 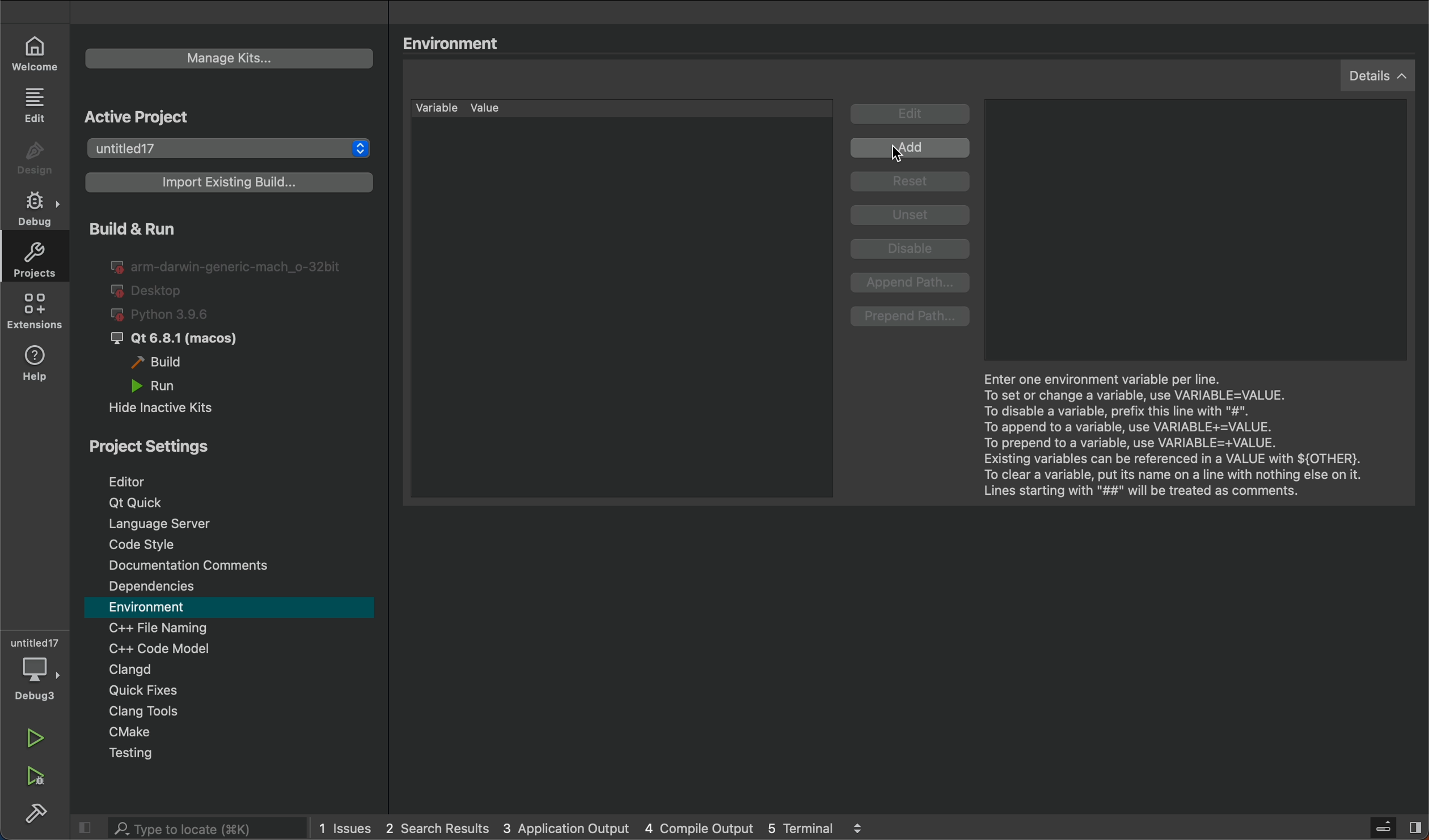 I want to click on python 3.96, so click(x=175, y=315).